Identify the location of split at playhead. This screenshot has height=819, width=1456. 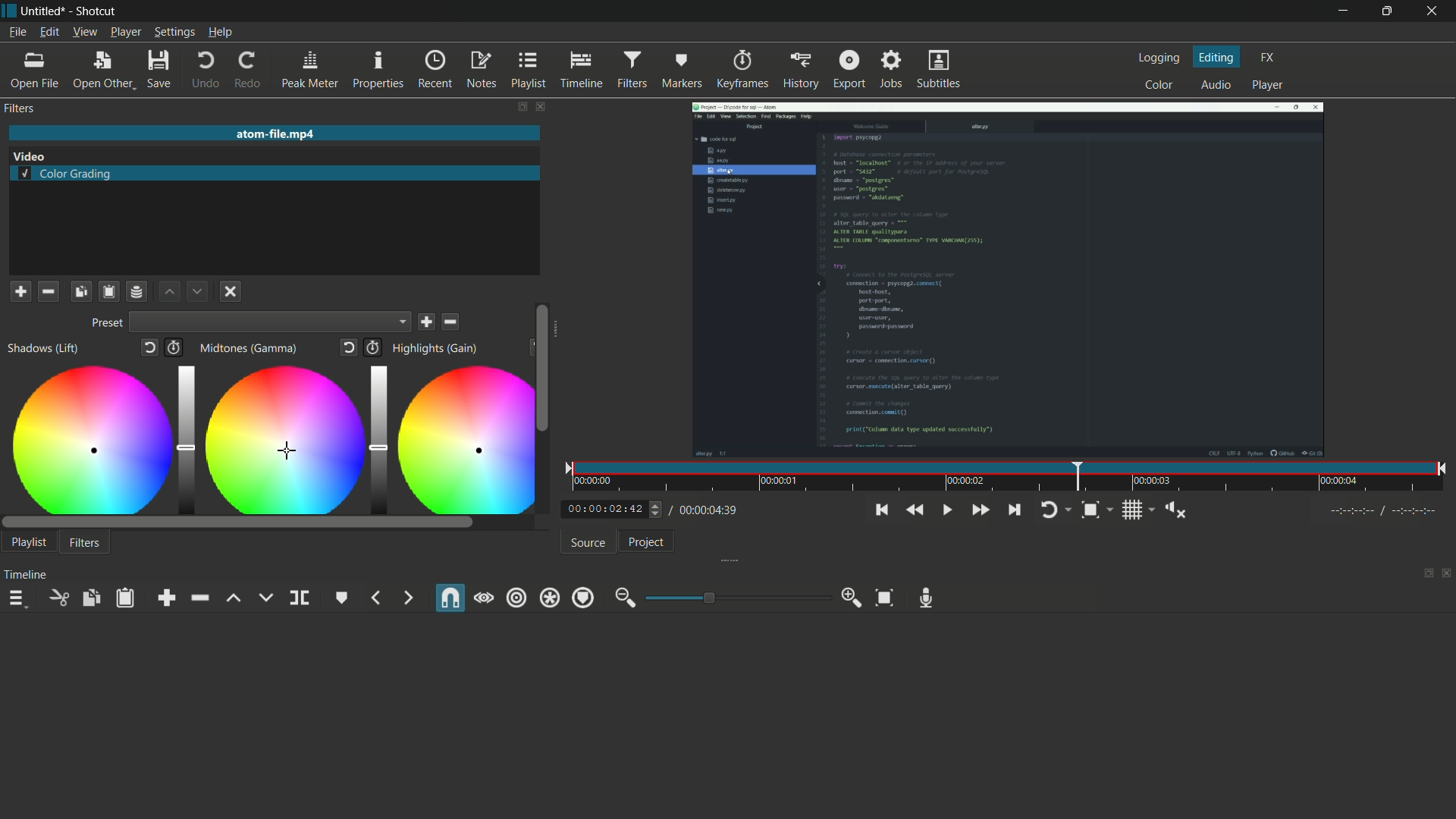
(300, 598).